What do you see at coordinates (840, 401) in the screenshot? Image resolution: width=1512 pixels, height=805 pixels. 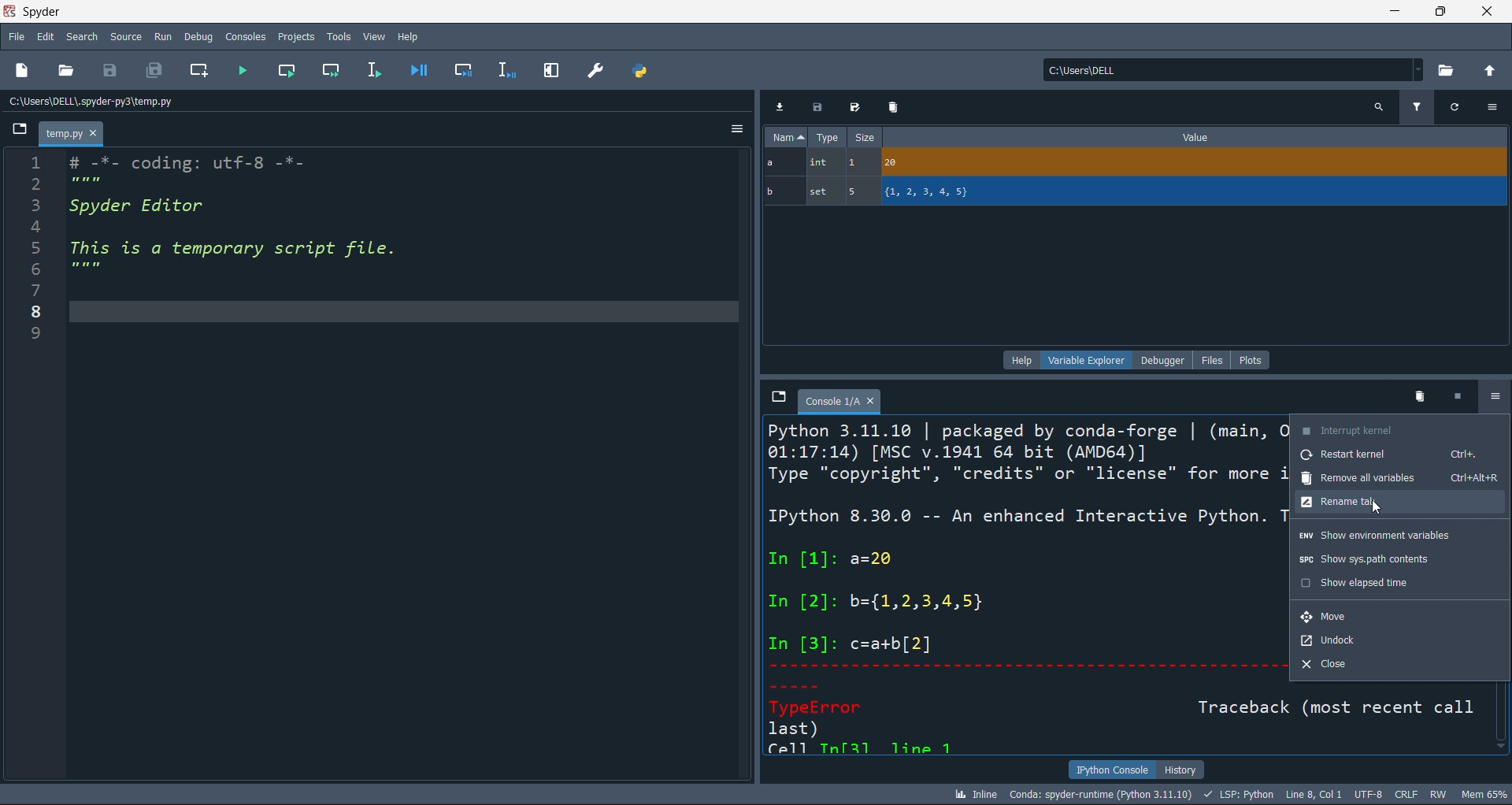 I see `console 1/A` at bounding box center [840, 401].